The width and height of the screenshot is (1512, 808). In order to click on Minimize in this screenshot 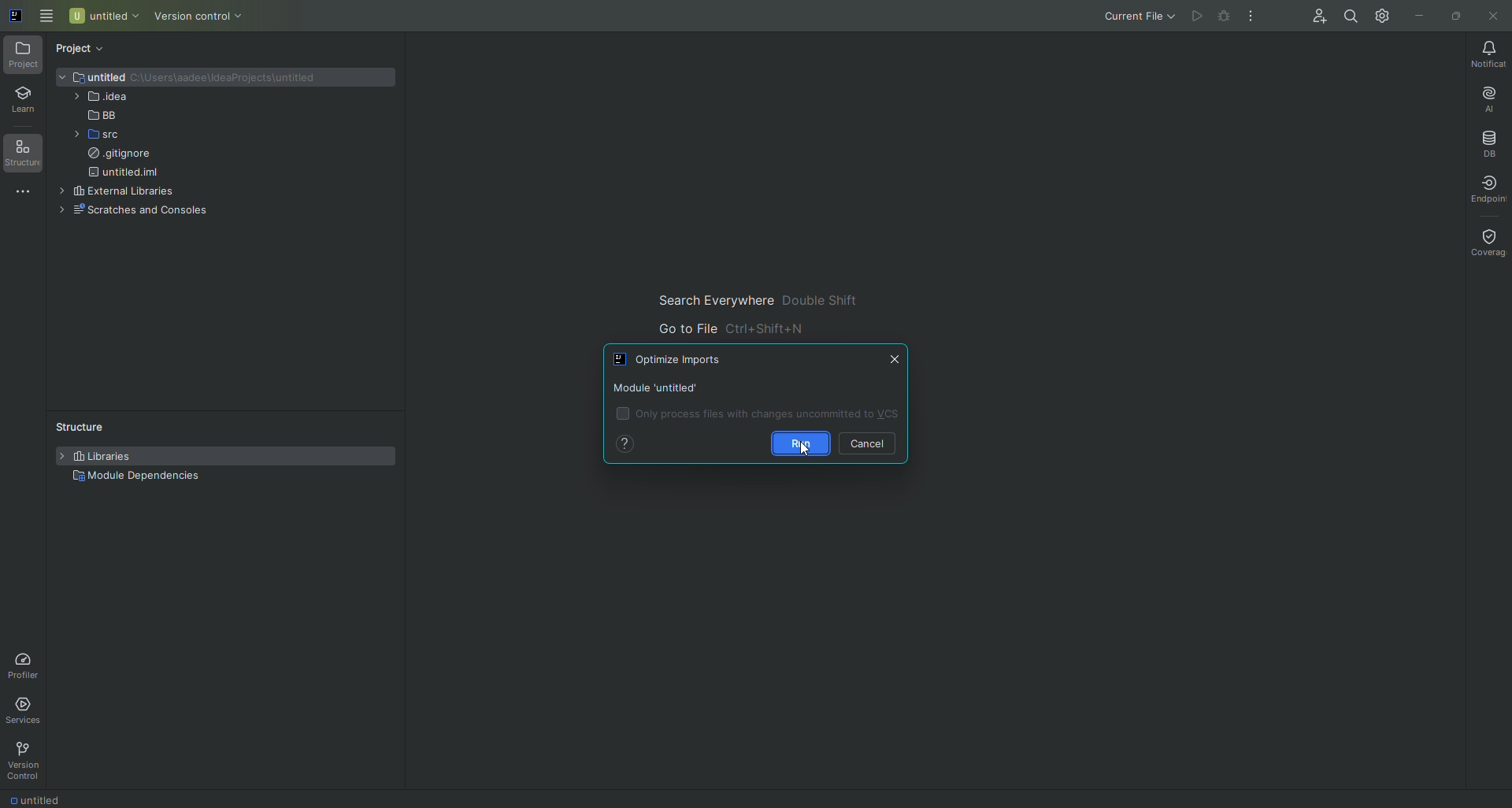, I will do `click(1417, 14)`.